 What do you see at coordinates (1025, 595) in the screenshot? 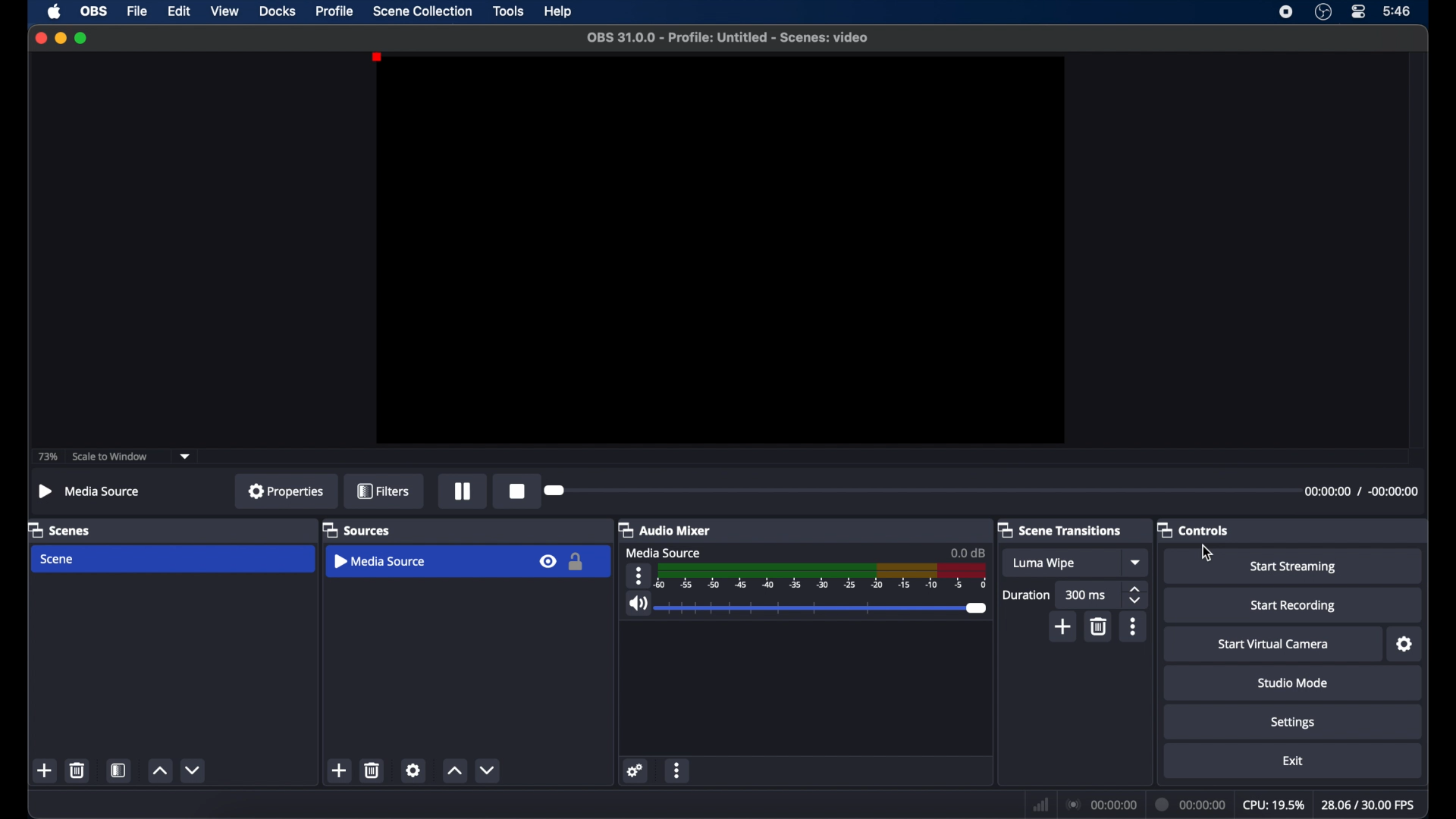
I see `duration` at bounding box center [1025, 595].